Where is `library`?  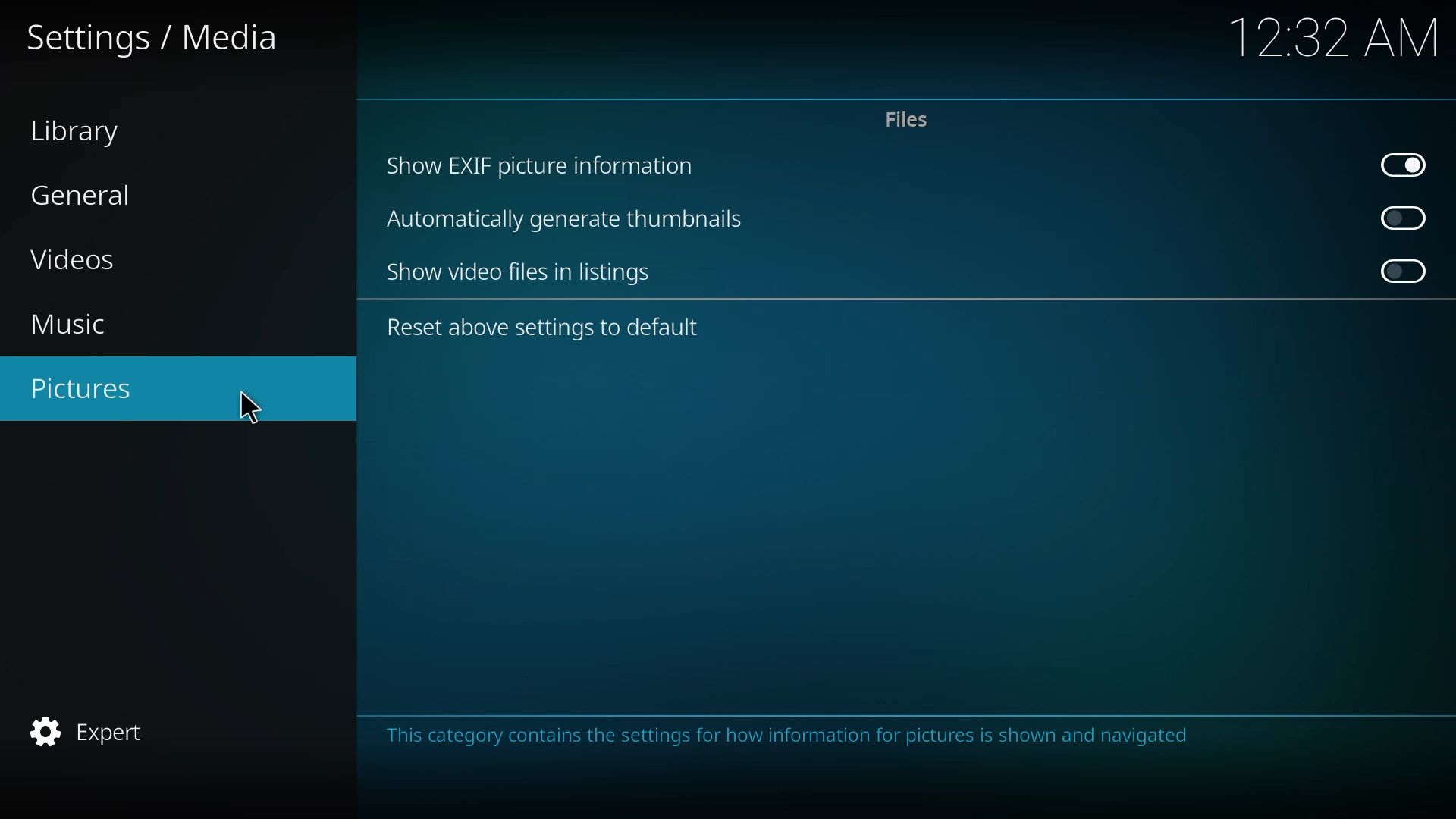
library is located at coordinates (85, 130).